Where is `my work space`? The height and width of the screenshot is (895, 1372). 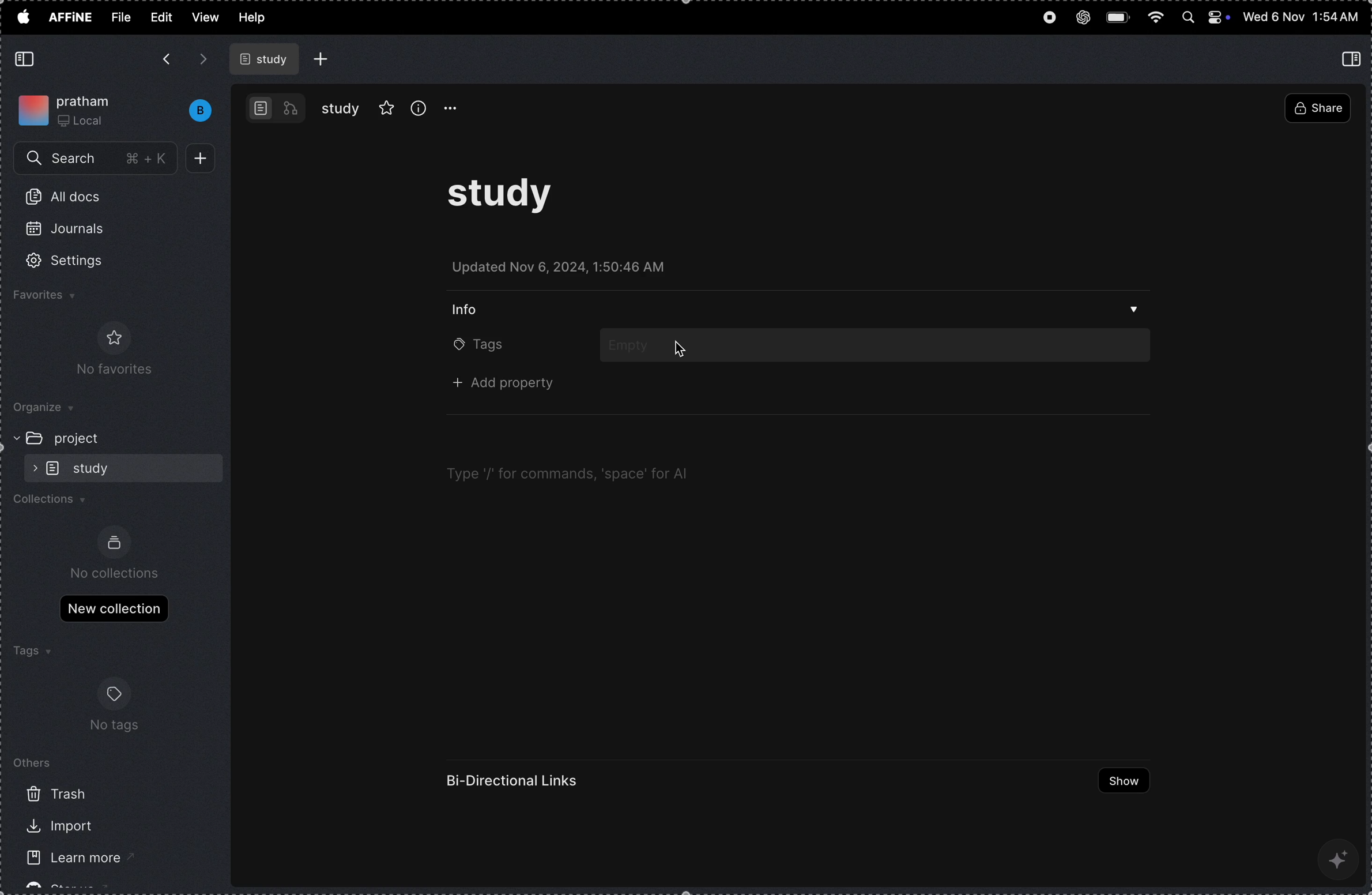
my work space is located at coordinates (69, 108).